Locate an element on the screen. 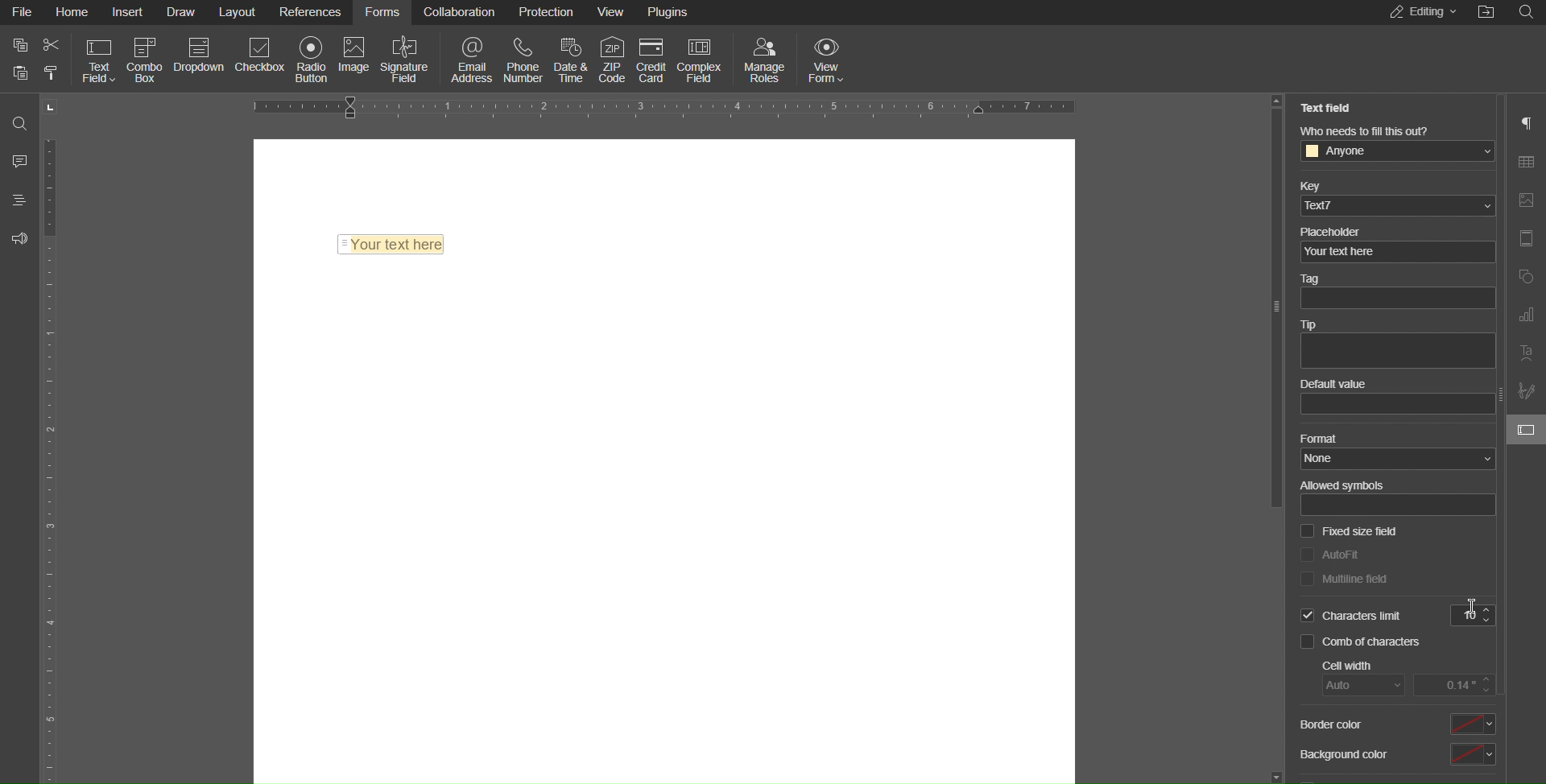 The image size is (1546, 784). Signature is located at coordinates (1527, 391).